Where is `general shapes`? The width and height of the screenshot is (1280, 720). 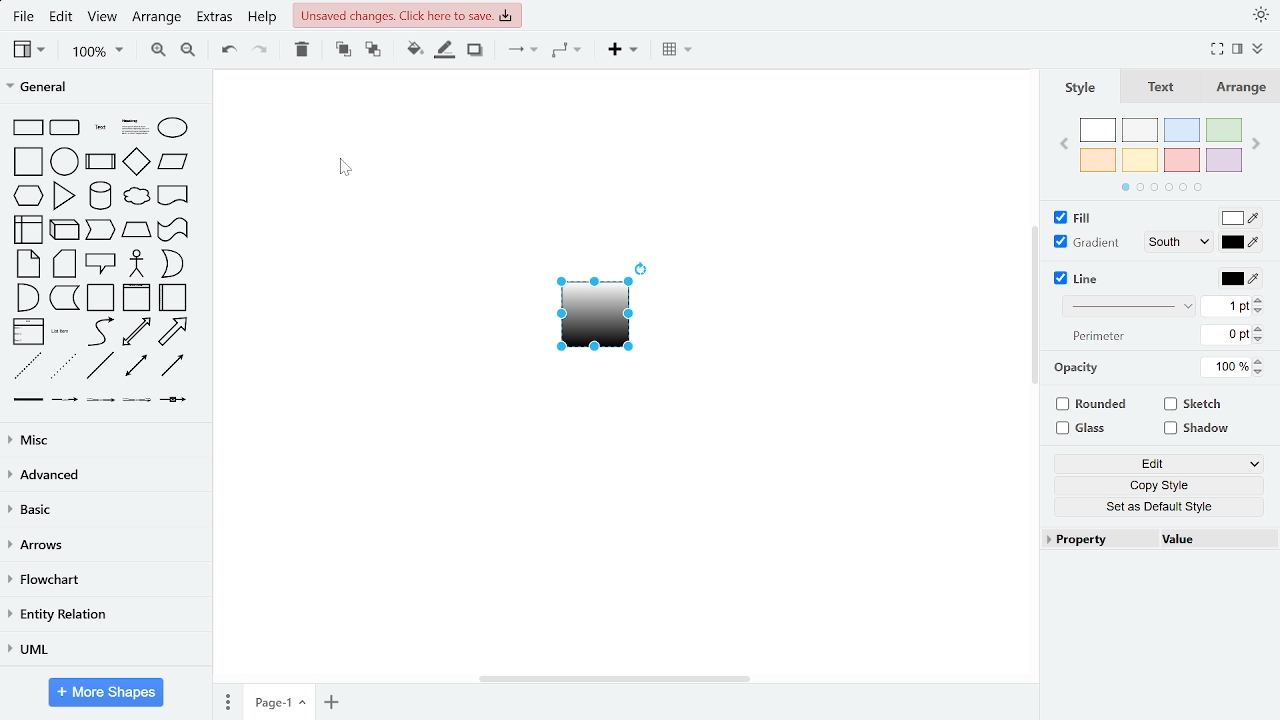 general shapes is located at coordinates (172, 331).